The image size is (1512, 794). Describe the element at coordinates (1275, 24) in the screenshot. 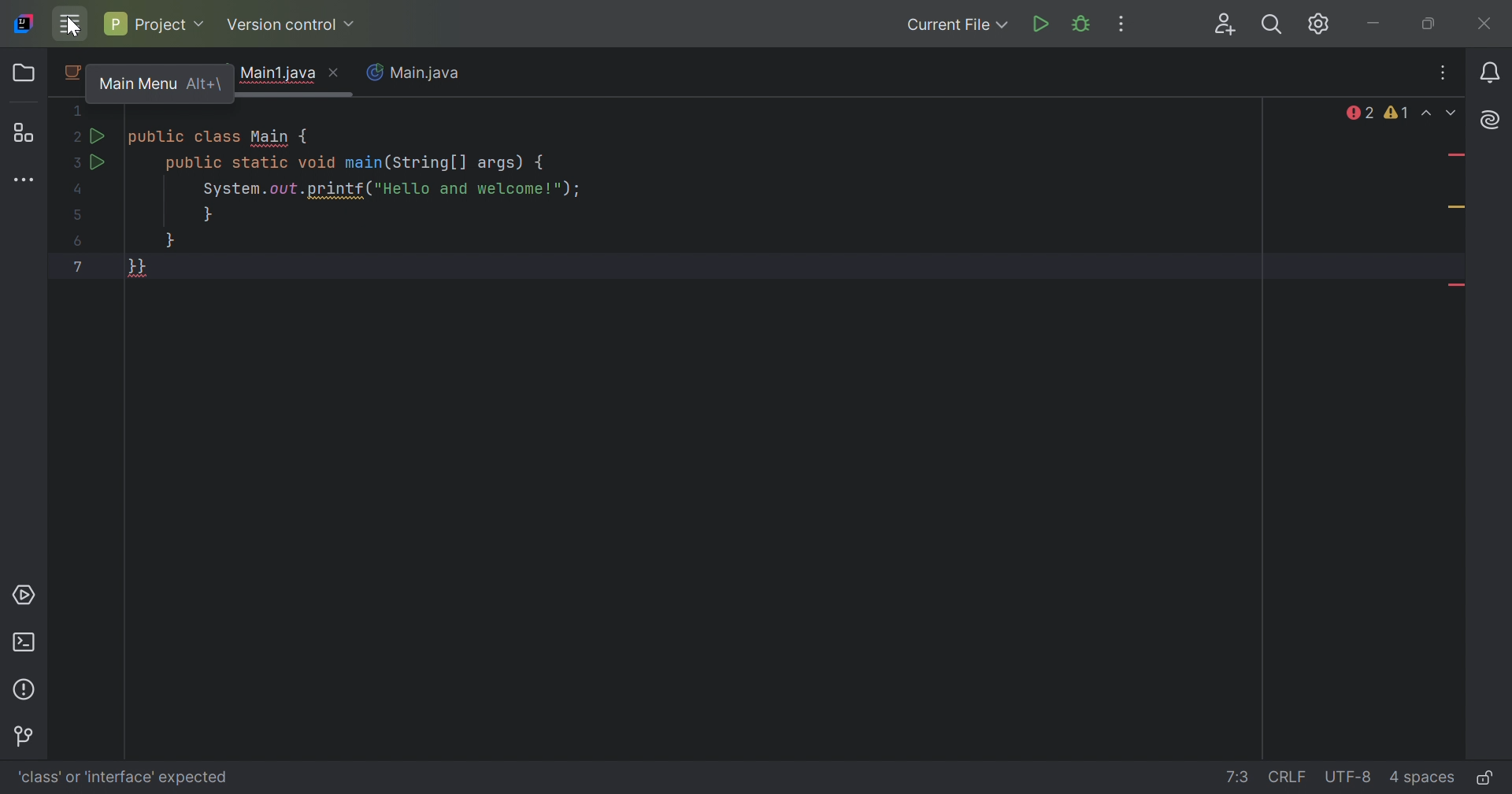

I see `Search everywhere` at that location.